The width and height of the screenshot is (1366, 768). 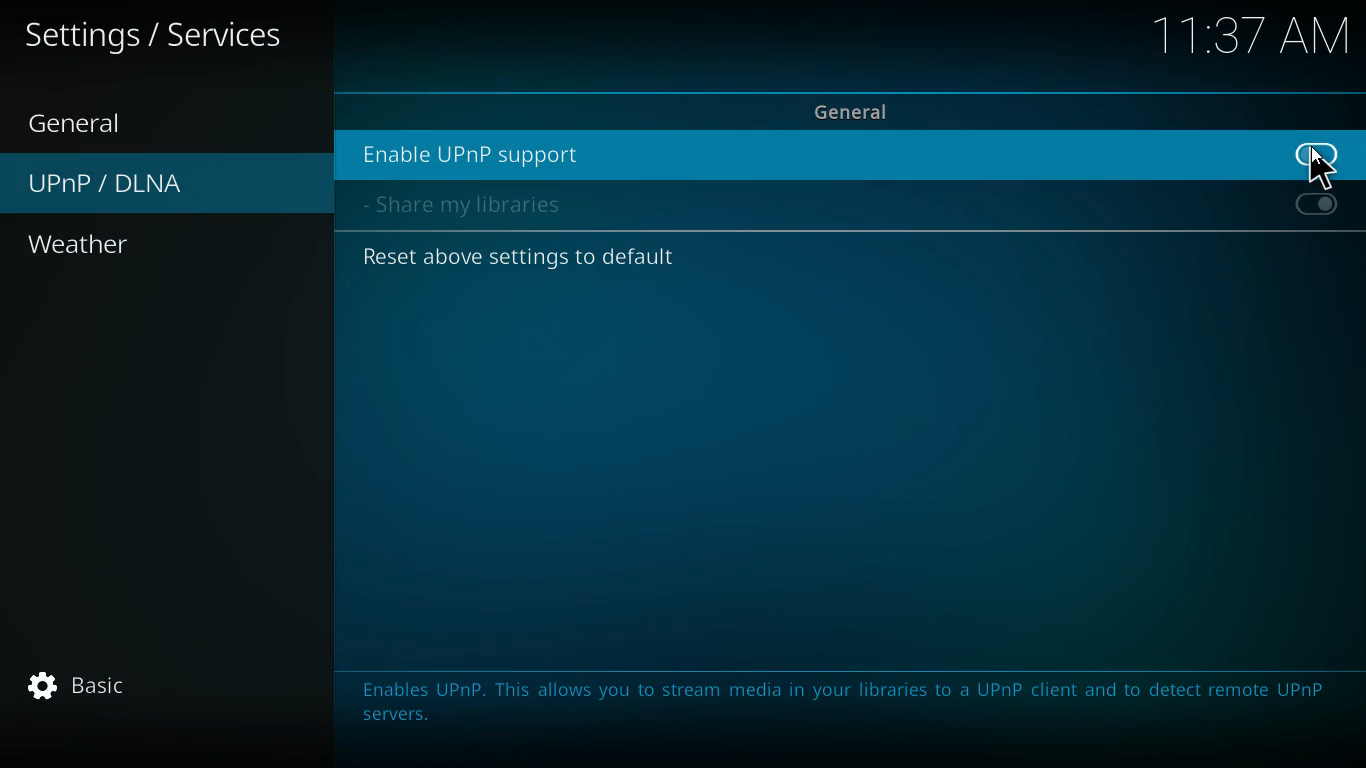 I want to click on upnp / dlna, so click(x=164, y=185).